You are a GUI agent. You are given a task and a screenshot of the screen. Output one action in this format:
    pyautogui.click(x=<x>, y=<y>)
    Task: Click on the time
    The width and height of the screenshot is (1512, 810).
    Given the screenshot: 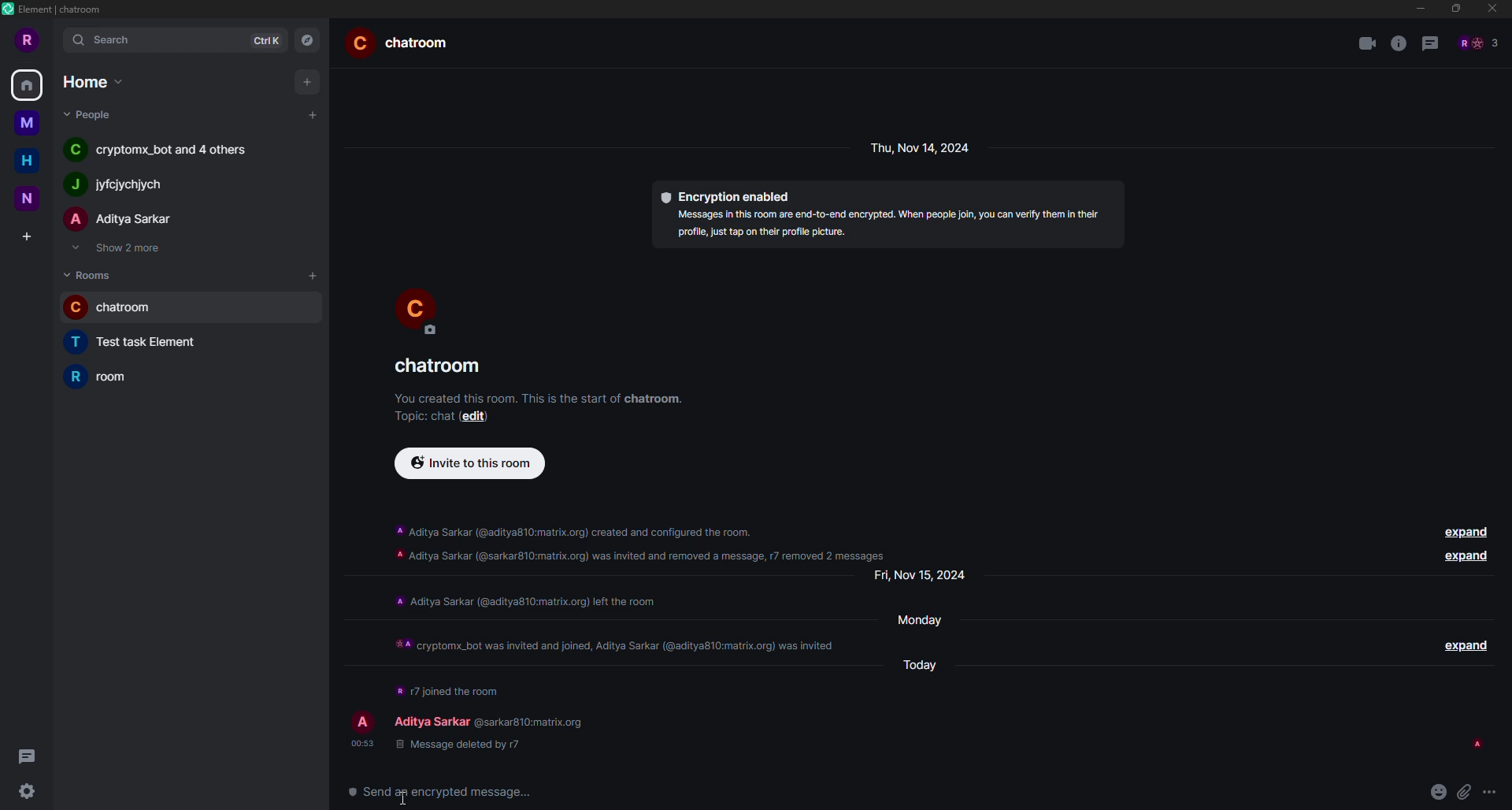 What is the action you would take?
    pyautogui.click(x=361, y=742)
    